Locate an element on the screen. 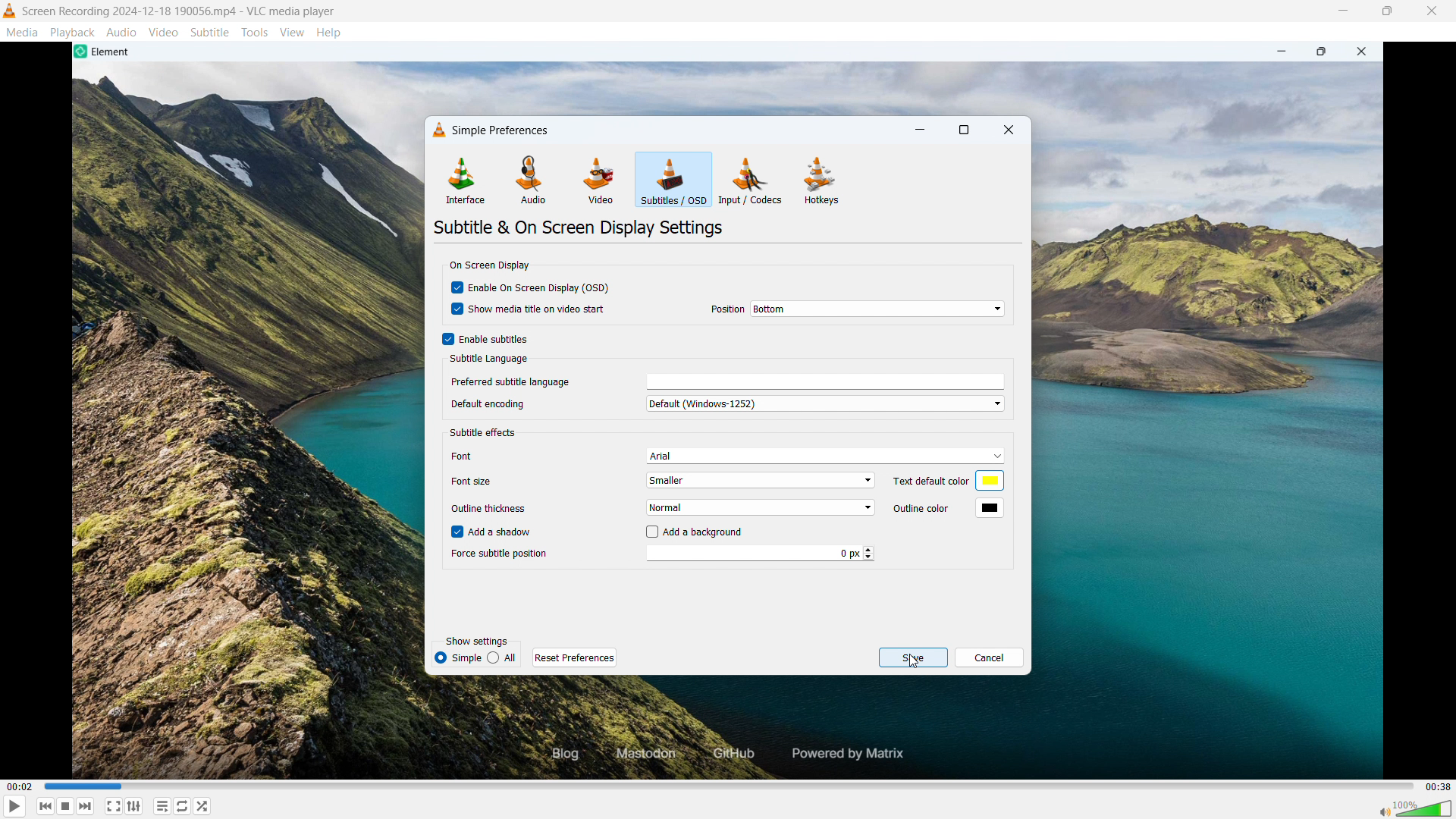 Image resolution: width=1456 pixels, height=819 pixels. checkbox is located at coordinates (651, 532).